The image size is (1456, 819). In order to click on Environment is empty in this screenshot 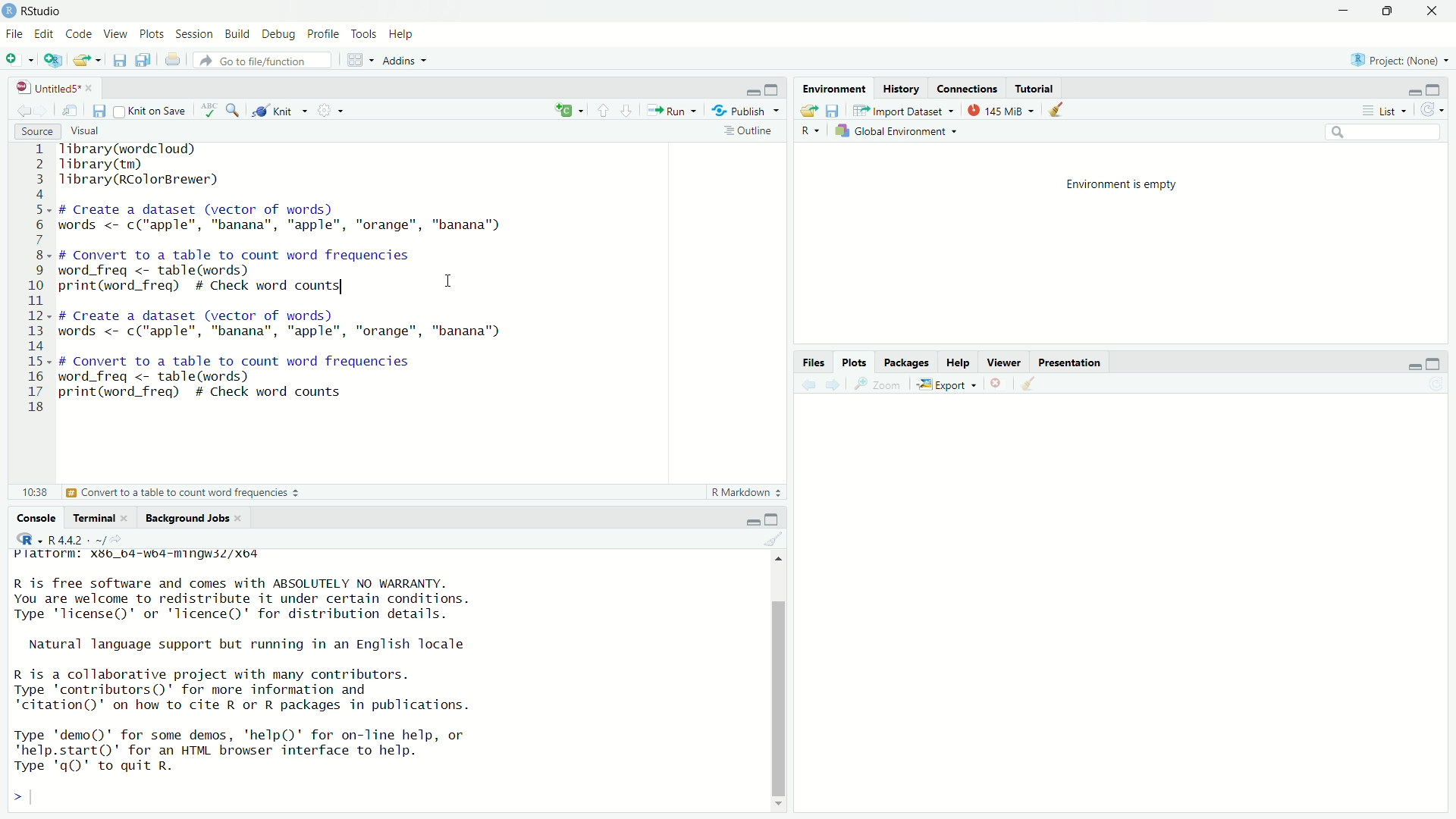, I will do `click(1120, 187)`.